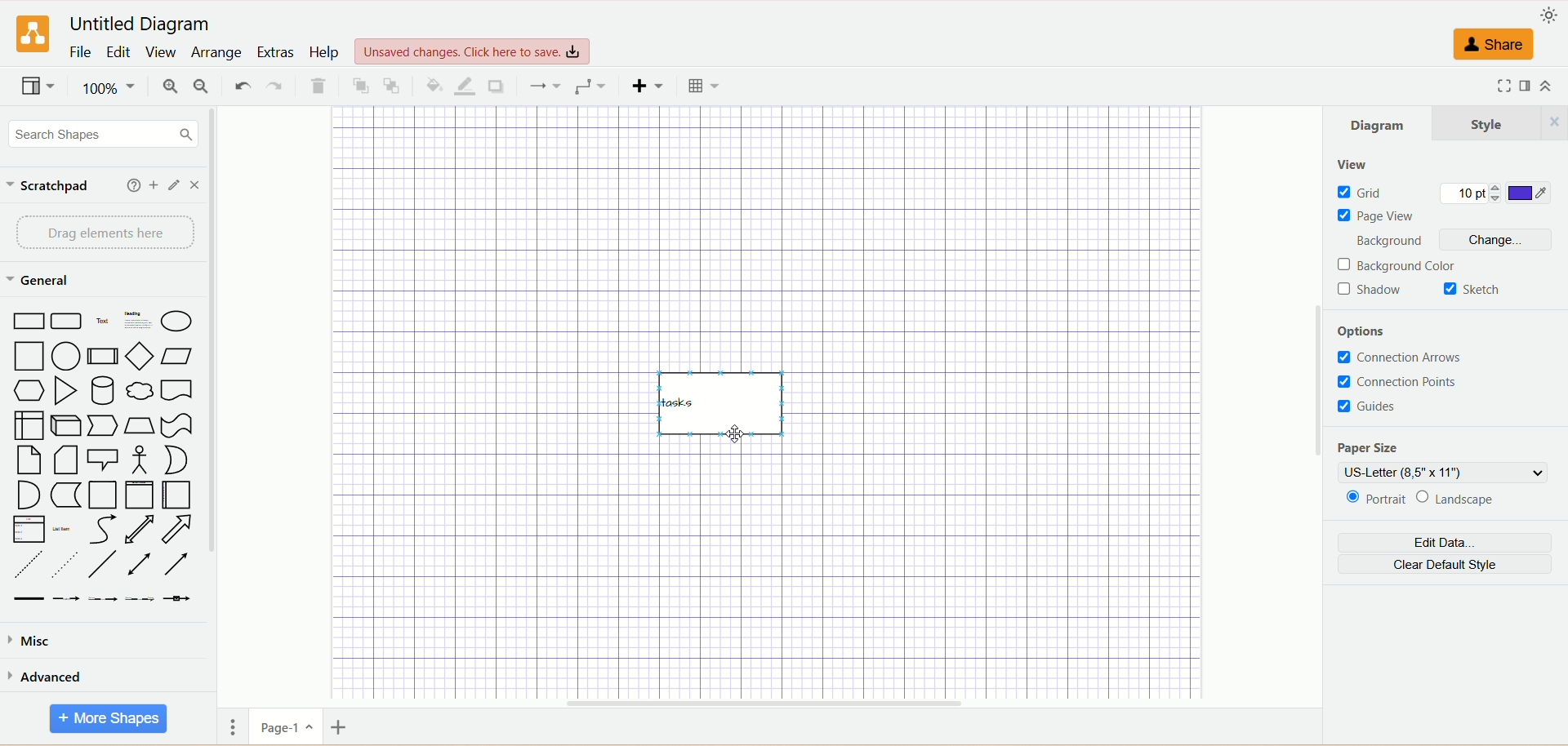 Image resolution: width=1568 pixels, height=746 pixels. Describe the element at coordinates (287, 727) in the screenshot. I see `page-1` at that location.